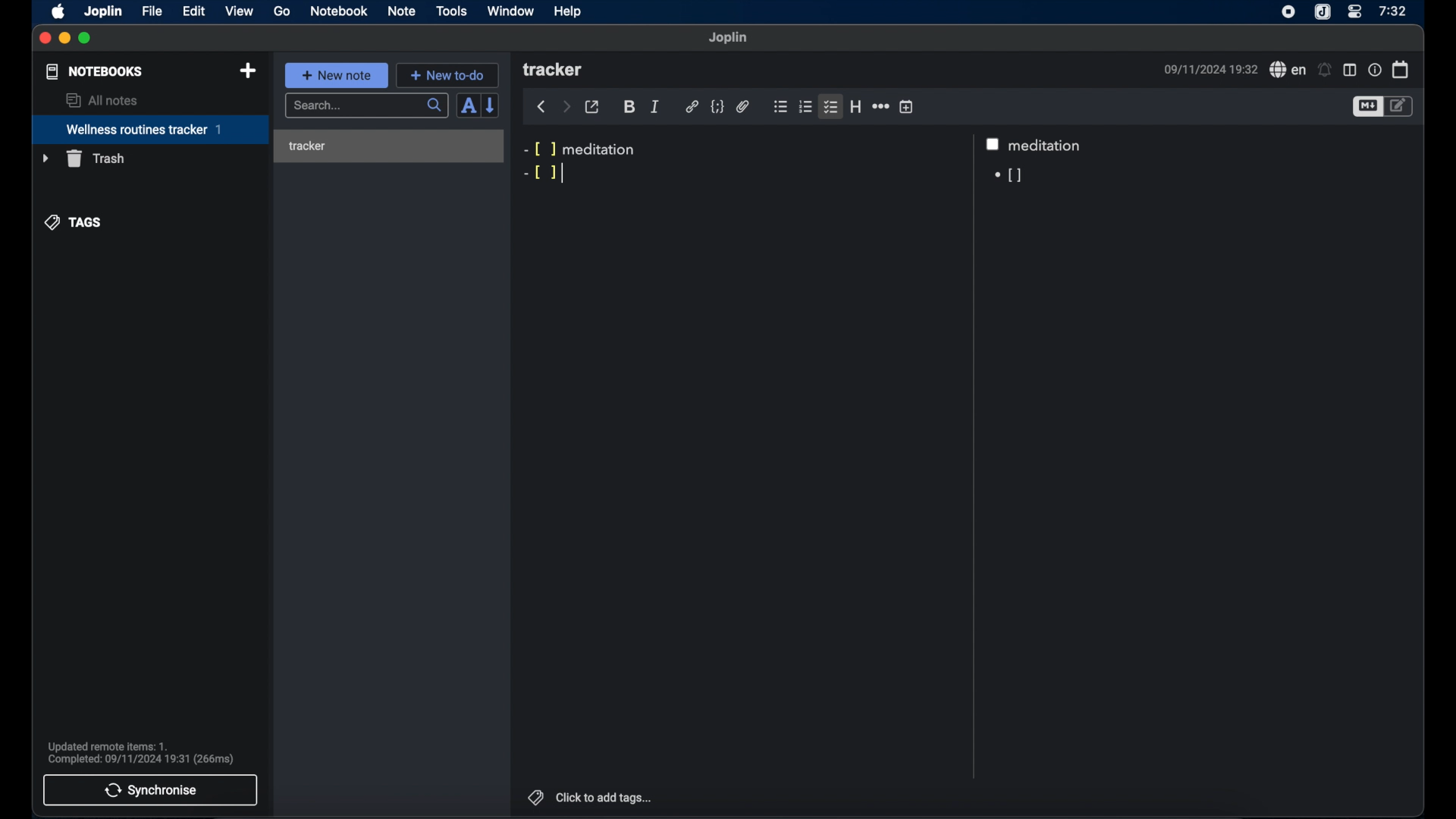 The image size is (1456, 819). I want to click on file, so click(152, 11).